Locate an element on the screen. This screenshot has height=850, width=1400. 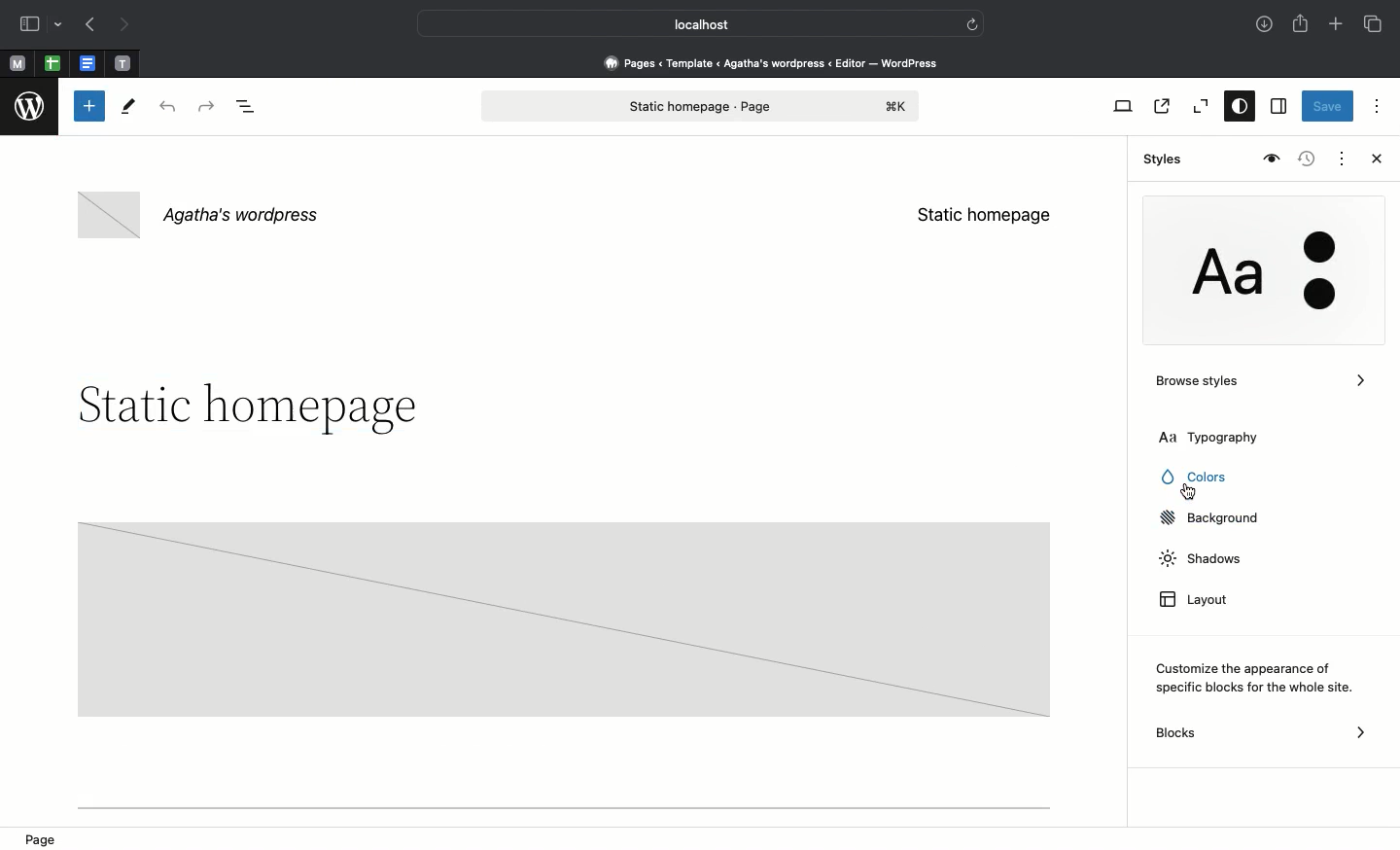
Close is located at coordinates (1373, 160).